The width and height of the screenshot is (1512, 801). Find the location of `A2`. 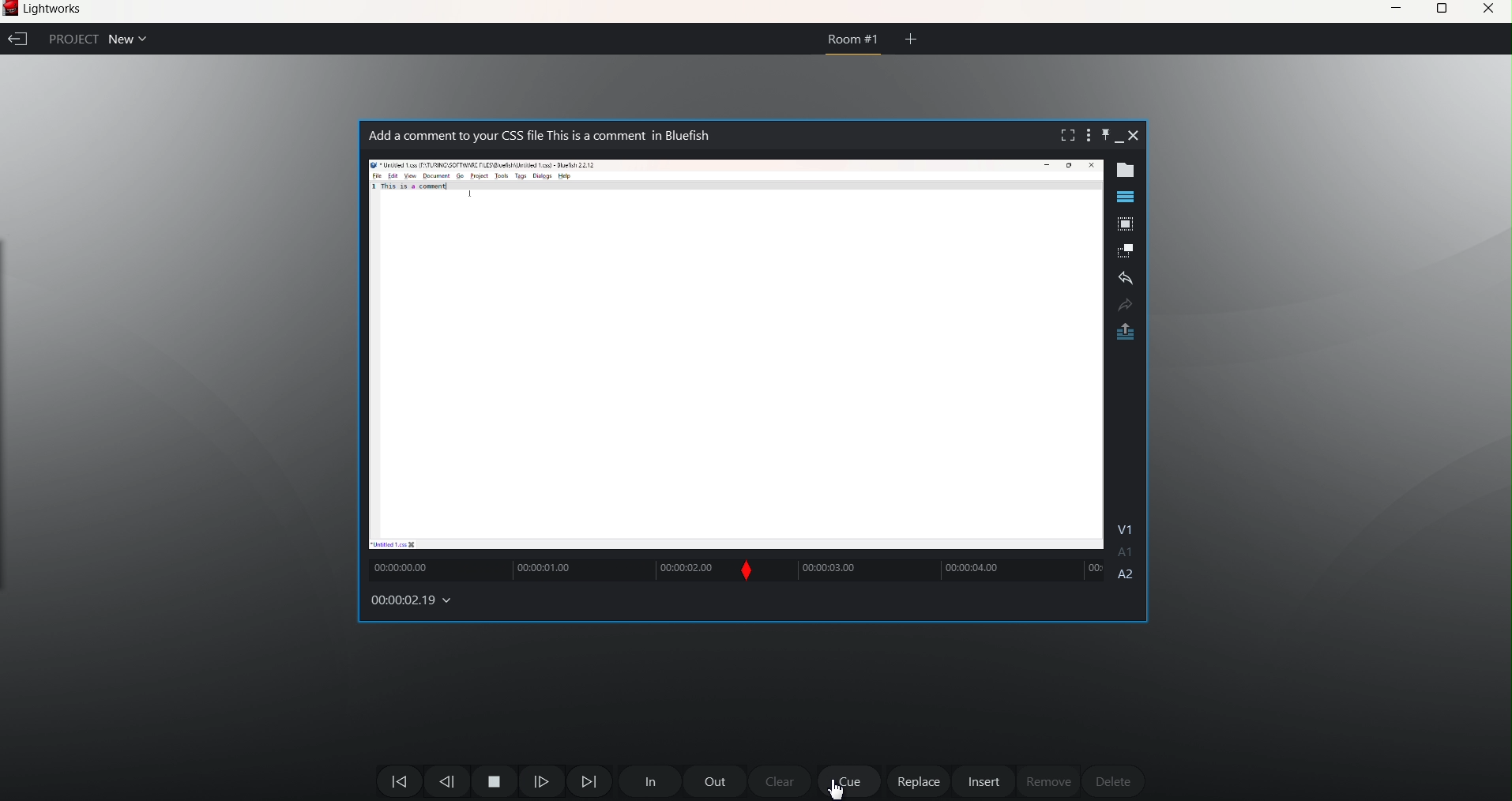

A2 is located at coordinates (1126, 578).